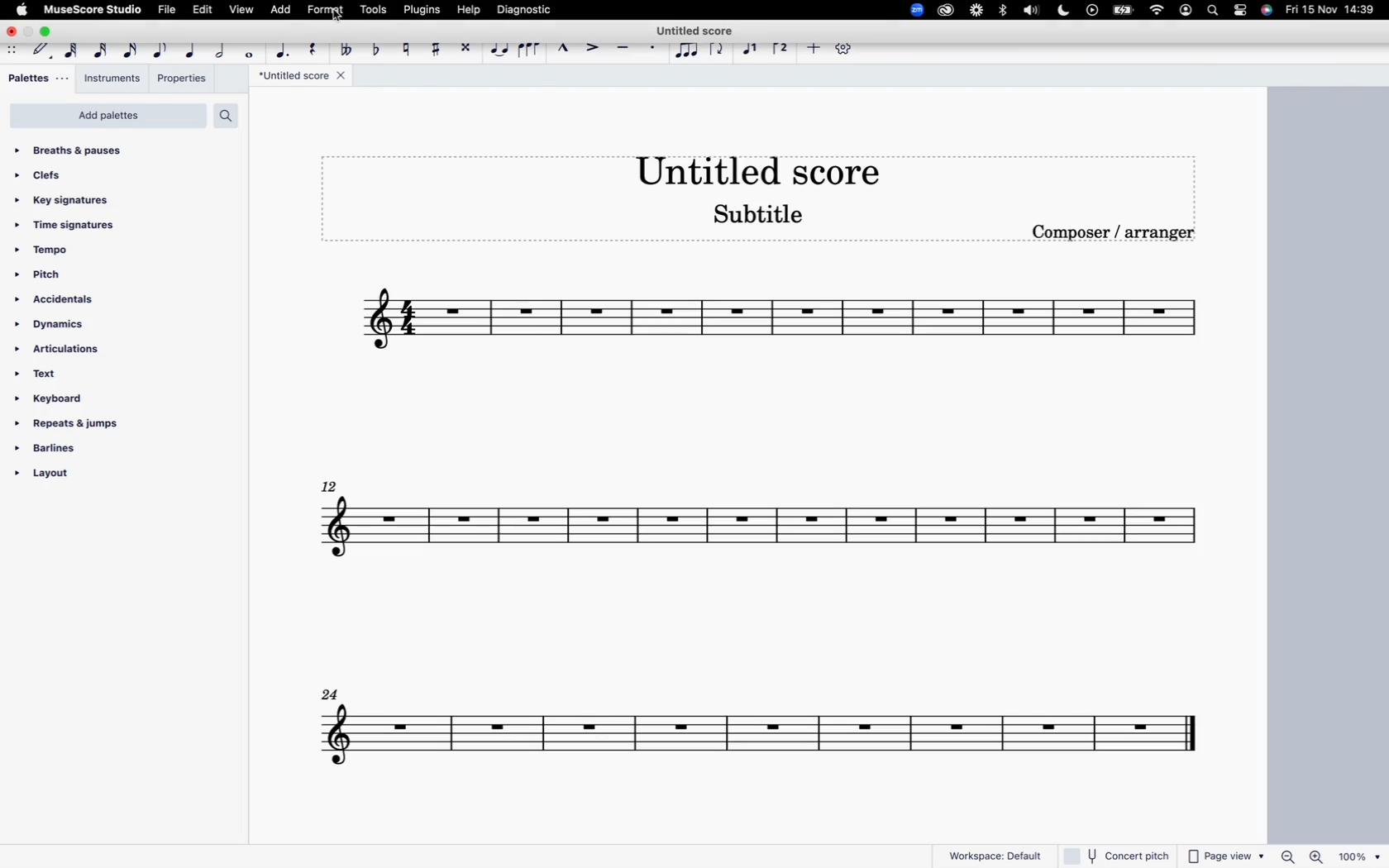 The width and height of the screenshot is (1389, 868). I want to click on breaths & pauses, so click(77, 148).